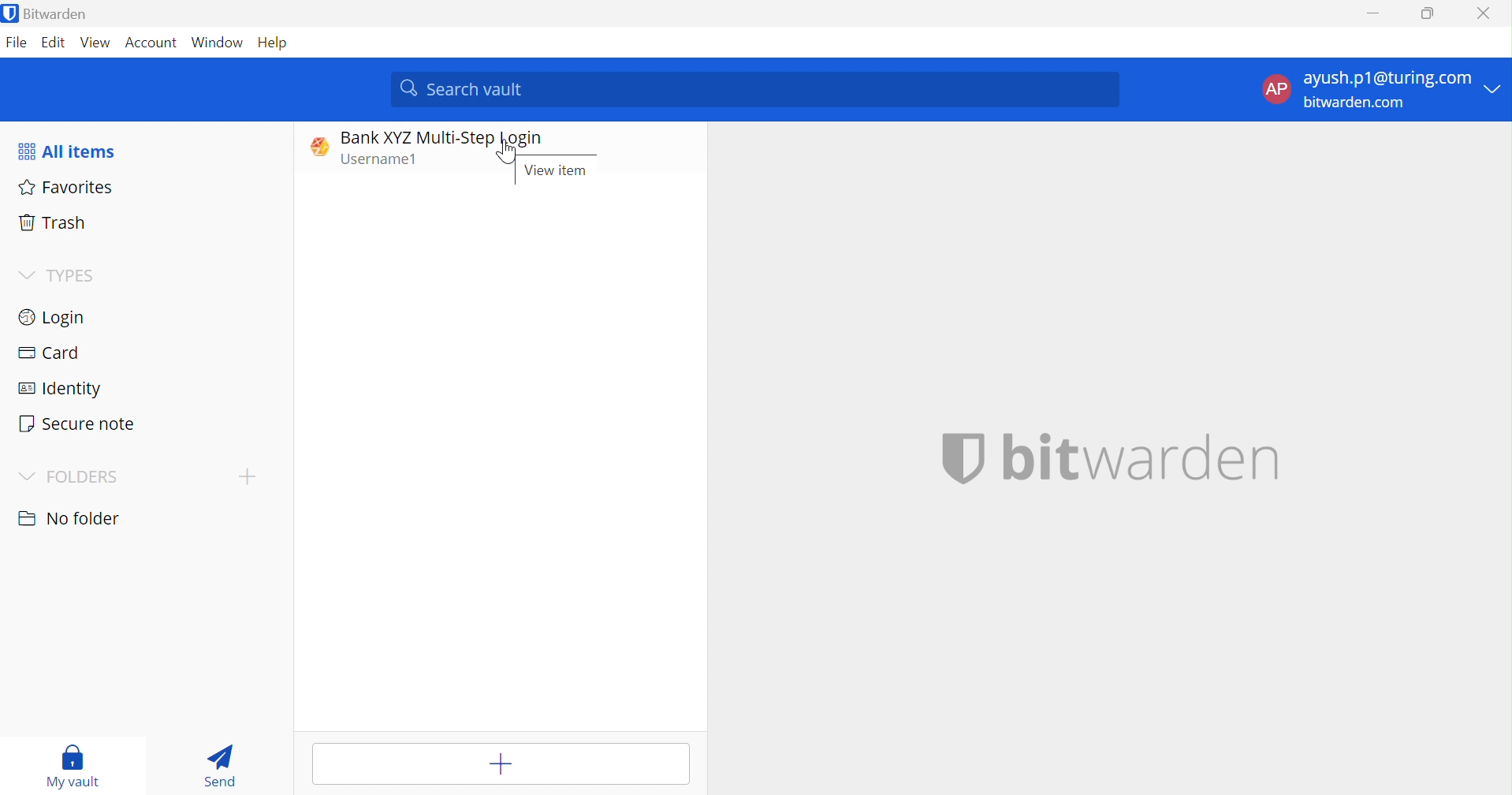 This screenshot has width=1512, height=795. I want to click on Restore Down, so click(1428, 11).